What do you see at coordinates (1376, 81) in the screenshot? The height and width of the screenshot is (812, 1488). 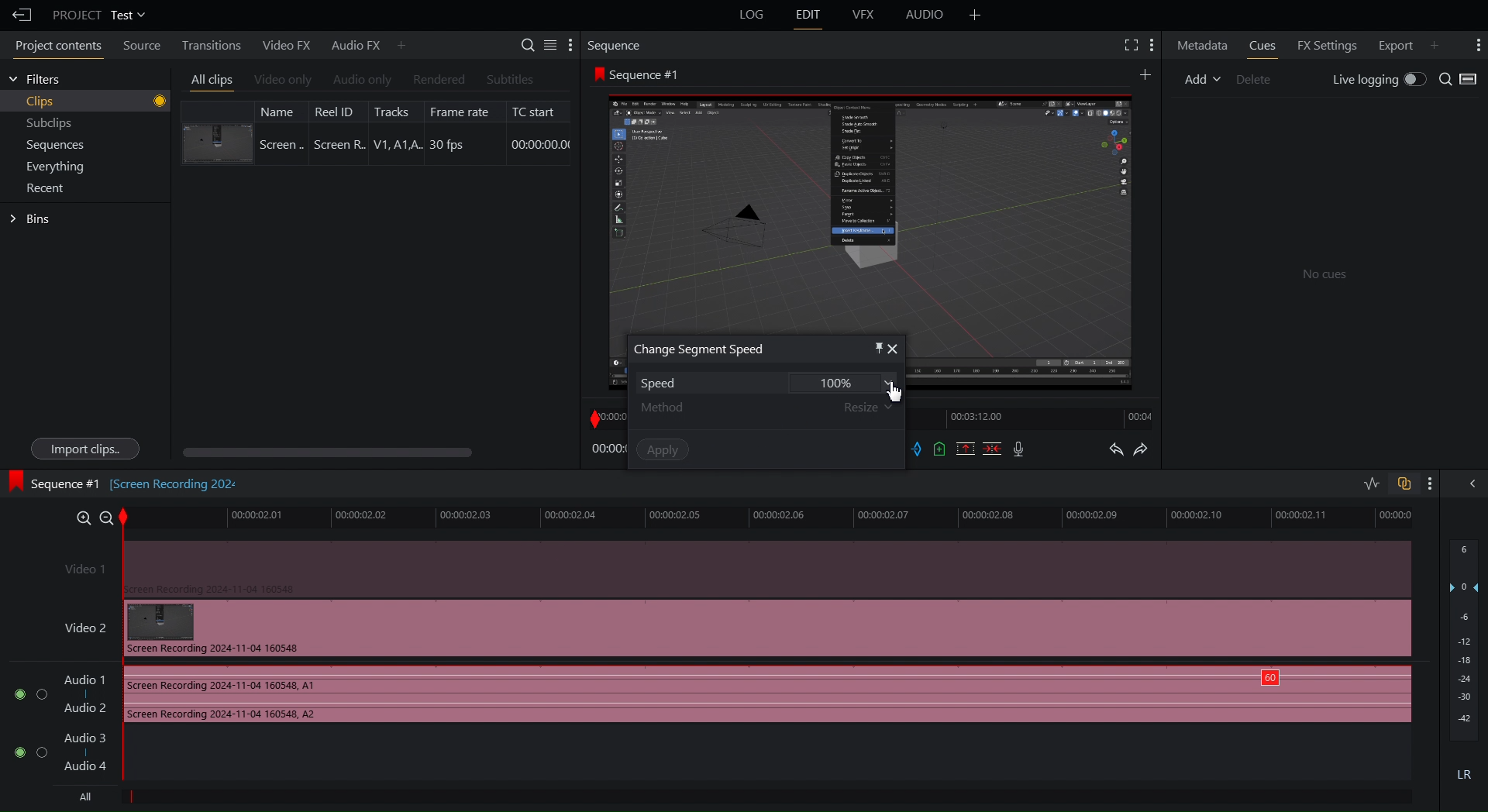 I see `Live Logging` at bounding box center [1376, 81].